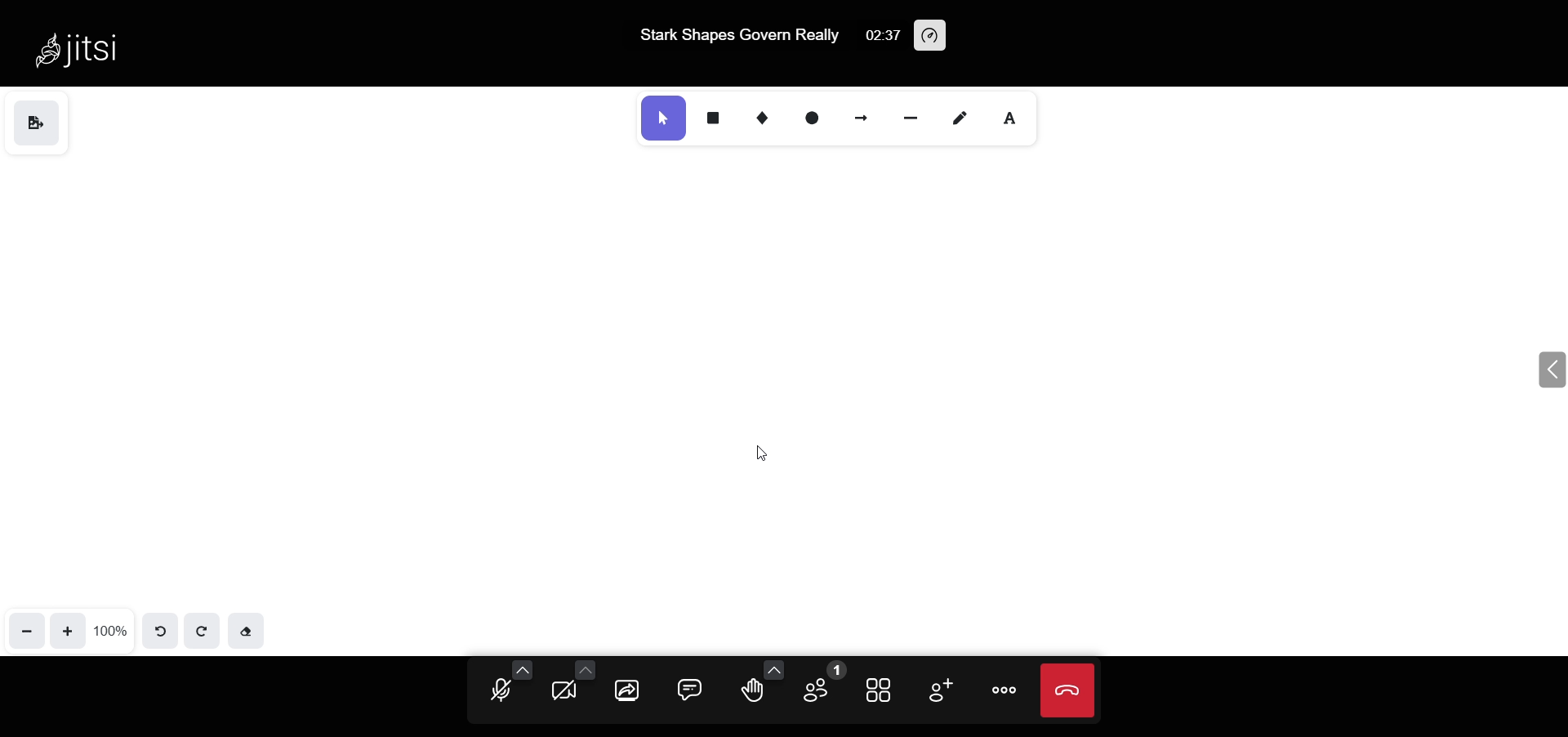  What do you see at coordinates (162, 628) in the screenshot?
I see `undo` at bounding box center [162, 628].